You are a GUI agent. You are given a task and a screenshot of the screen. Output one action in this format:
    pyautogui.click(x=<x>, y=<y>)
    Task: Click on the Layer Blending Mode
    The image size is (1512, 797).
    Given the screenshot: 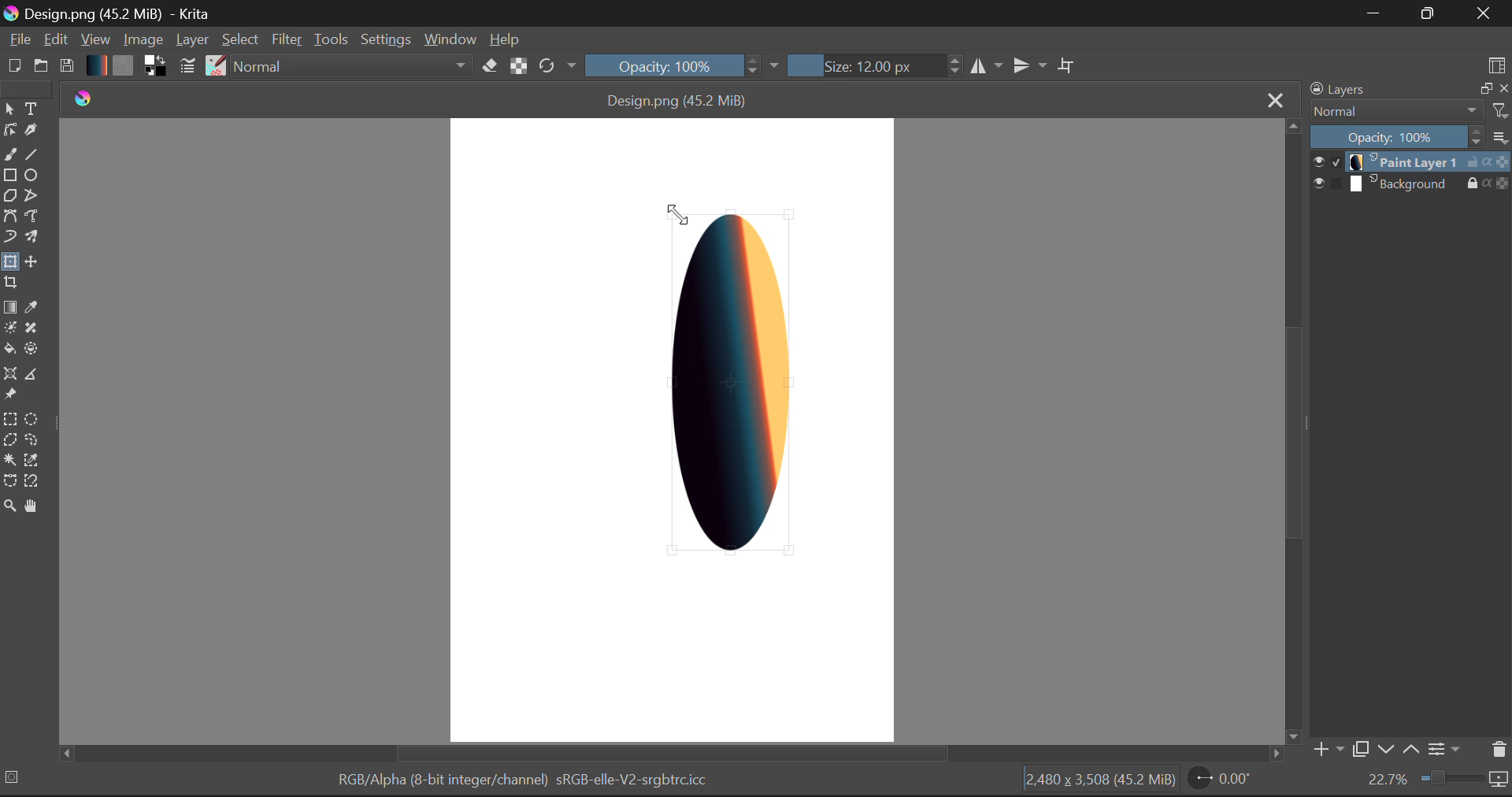 What is the action you would take?
    pyautogui.click(x=1409, y=112)
    